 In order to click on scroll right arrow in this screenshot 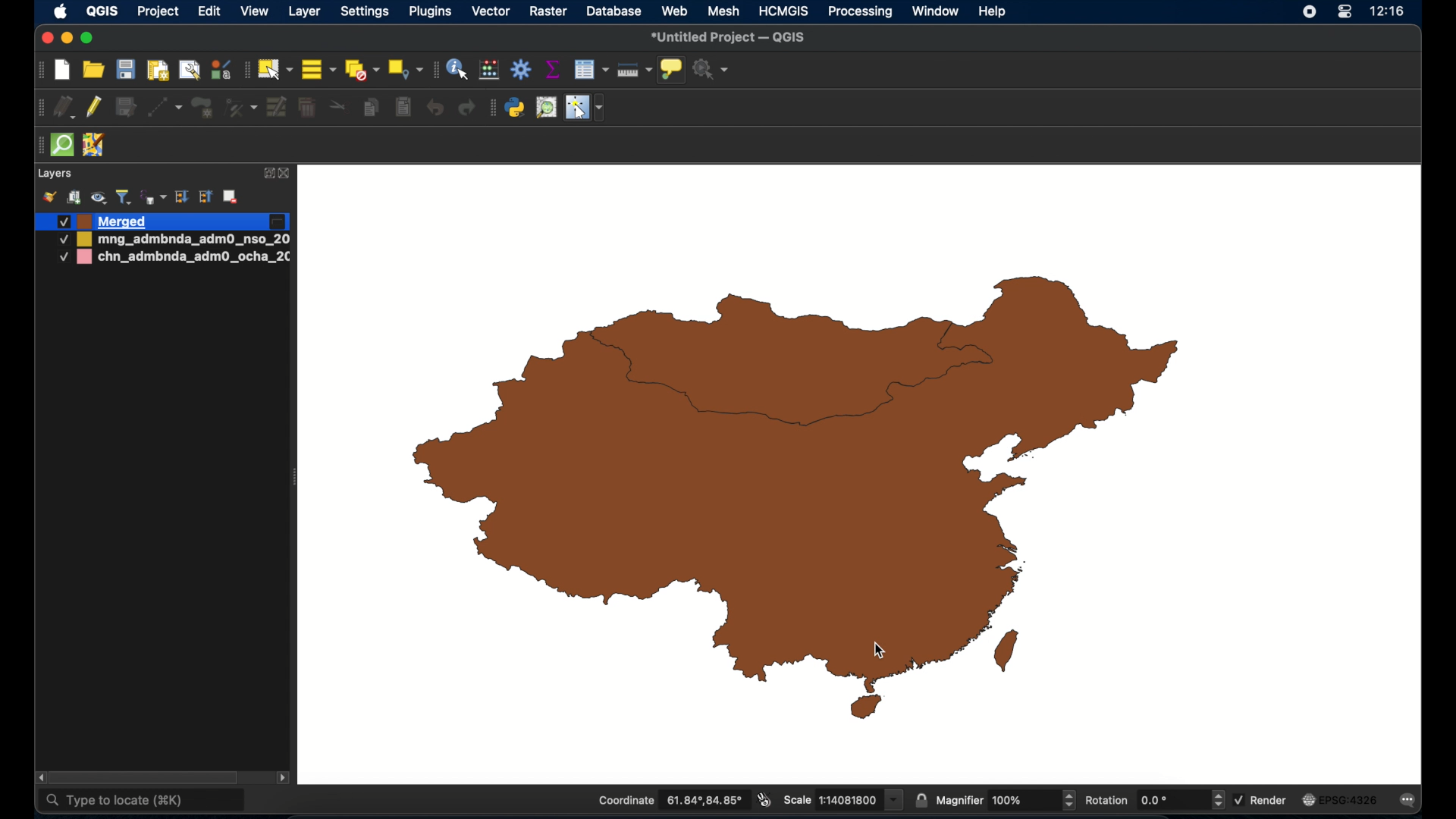, I will do `click(284, 780)`.